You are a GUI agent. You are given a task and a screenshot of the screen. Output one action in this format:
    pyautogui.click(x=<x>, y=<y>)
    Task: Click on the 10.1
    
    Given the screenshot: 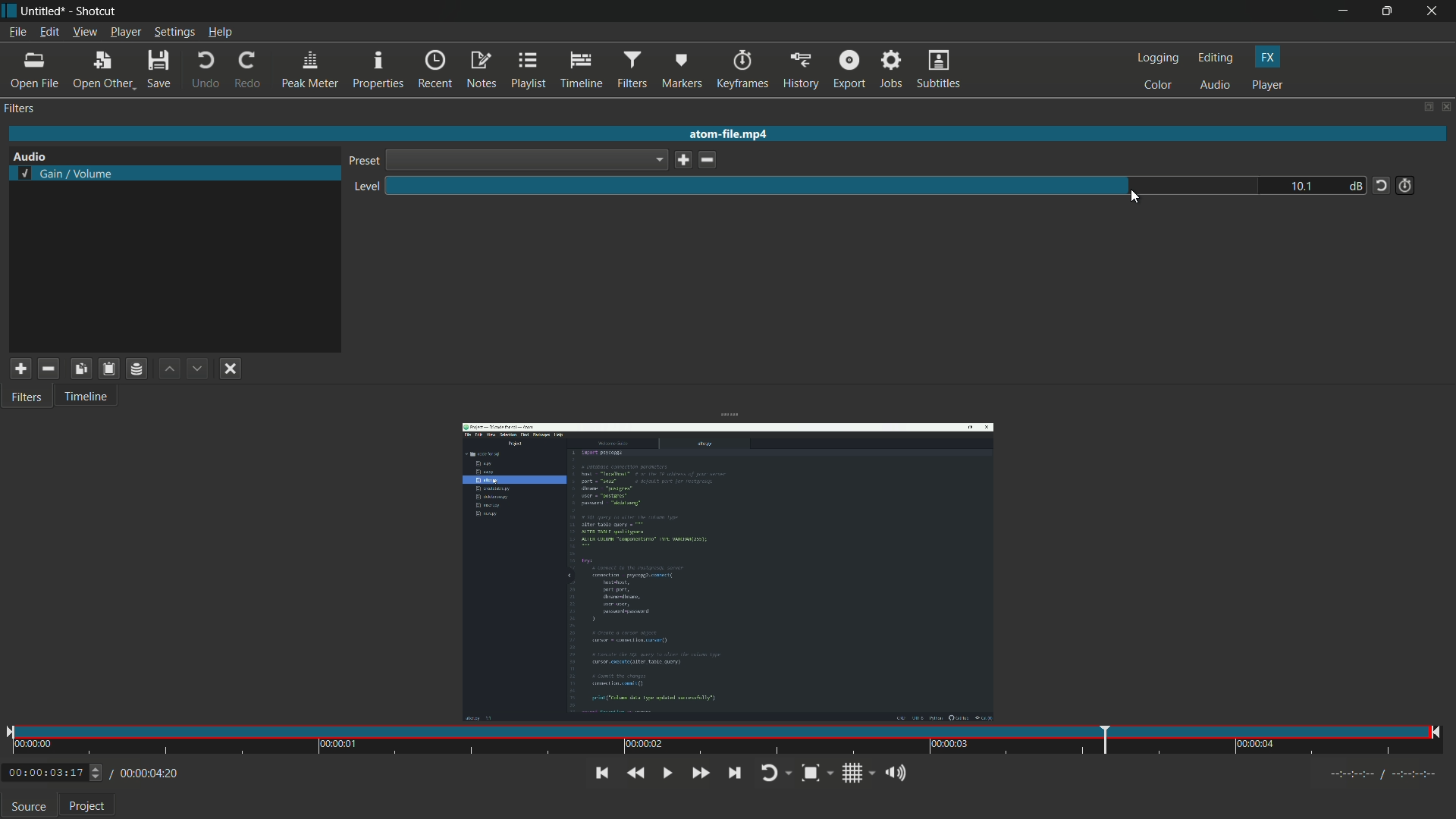 What is the action you would take?
    pyautogui.click(x=1301, y=185)
    